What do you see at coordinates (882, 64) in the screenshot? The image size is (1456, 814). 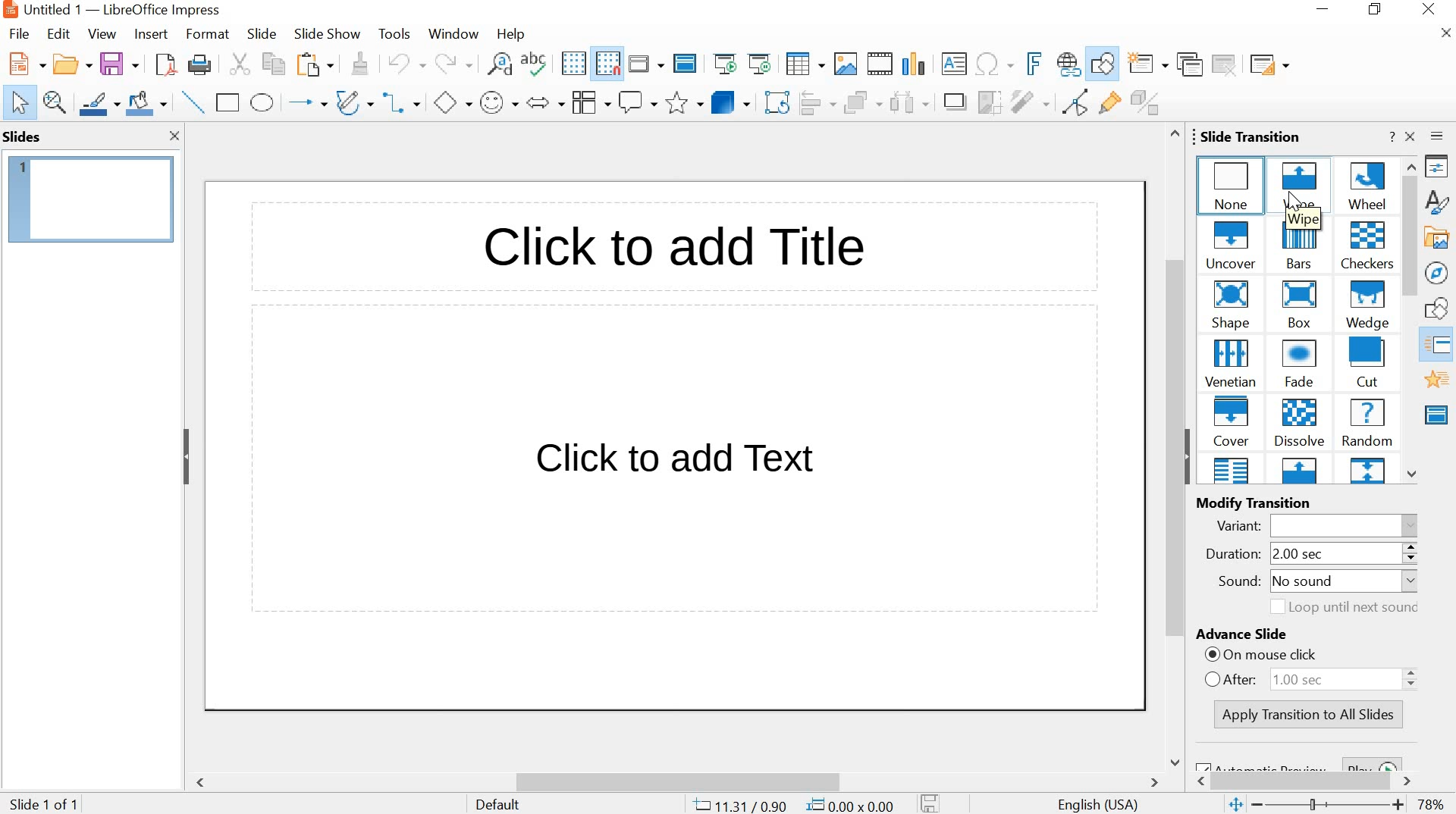 I see `Insert audio or video` at bounding box center [882, 64].